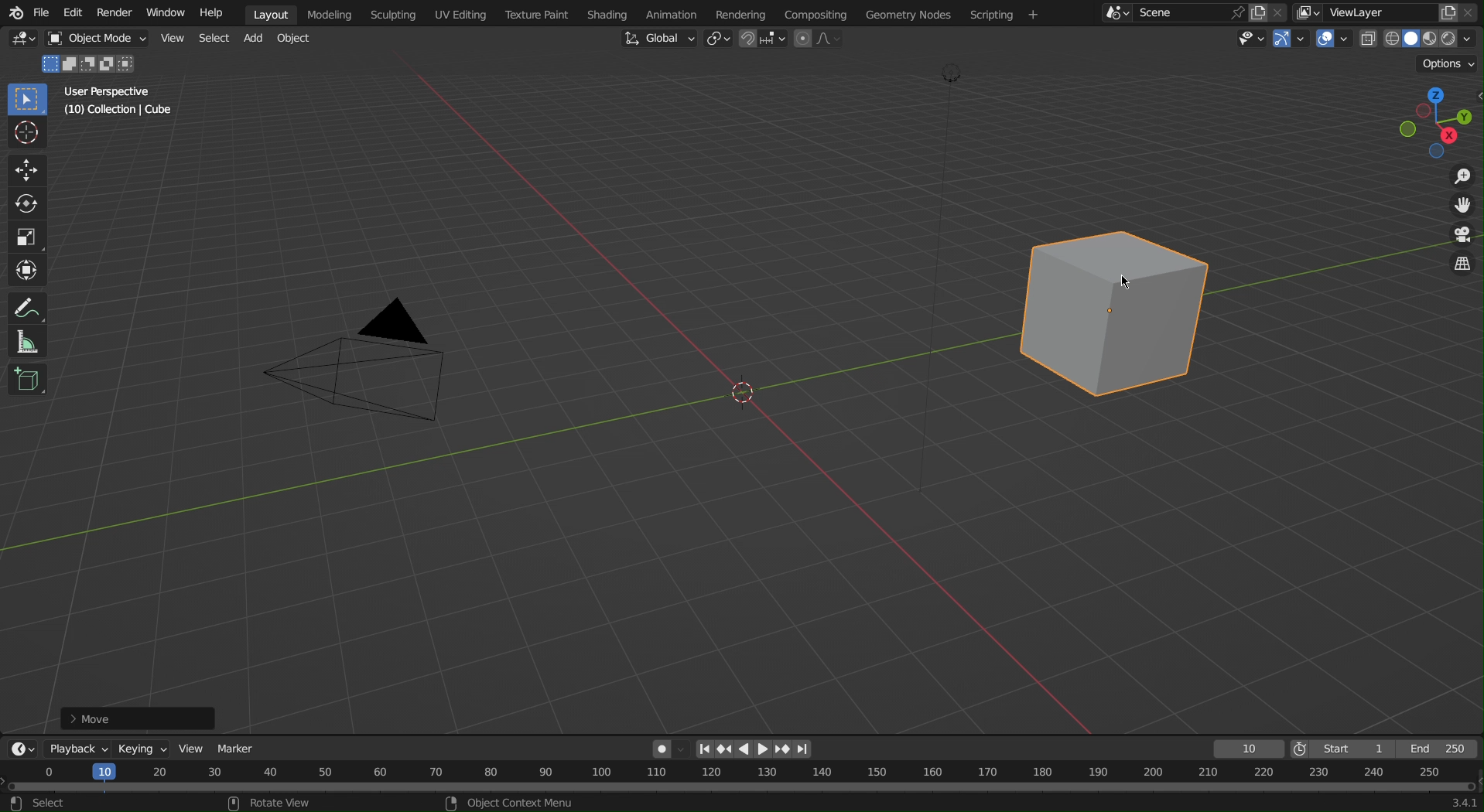 The image size is (1484, 812). Describe the element at coordinates (333, 12) in the screenshot. I see `Modeling` at that location.